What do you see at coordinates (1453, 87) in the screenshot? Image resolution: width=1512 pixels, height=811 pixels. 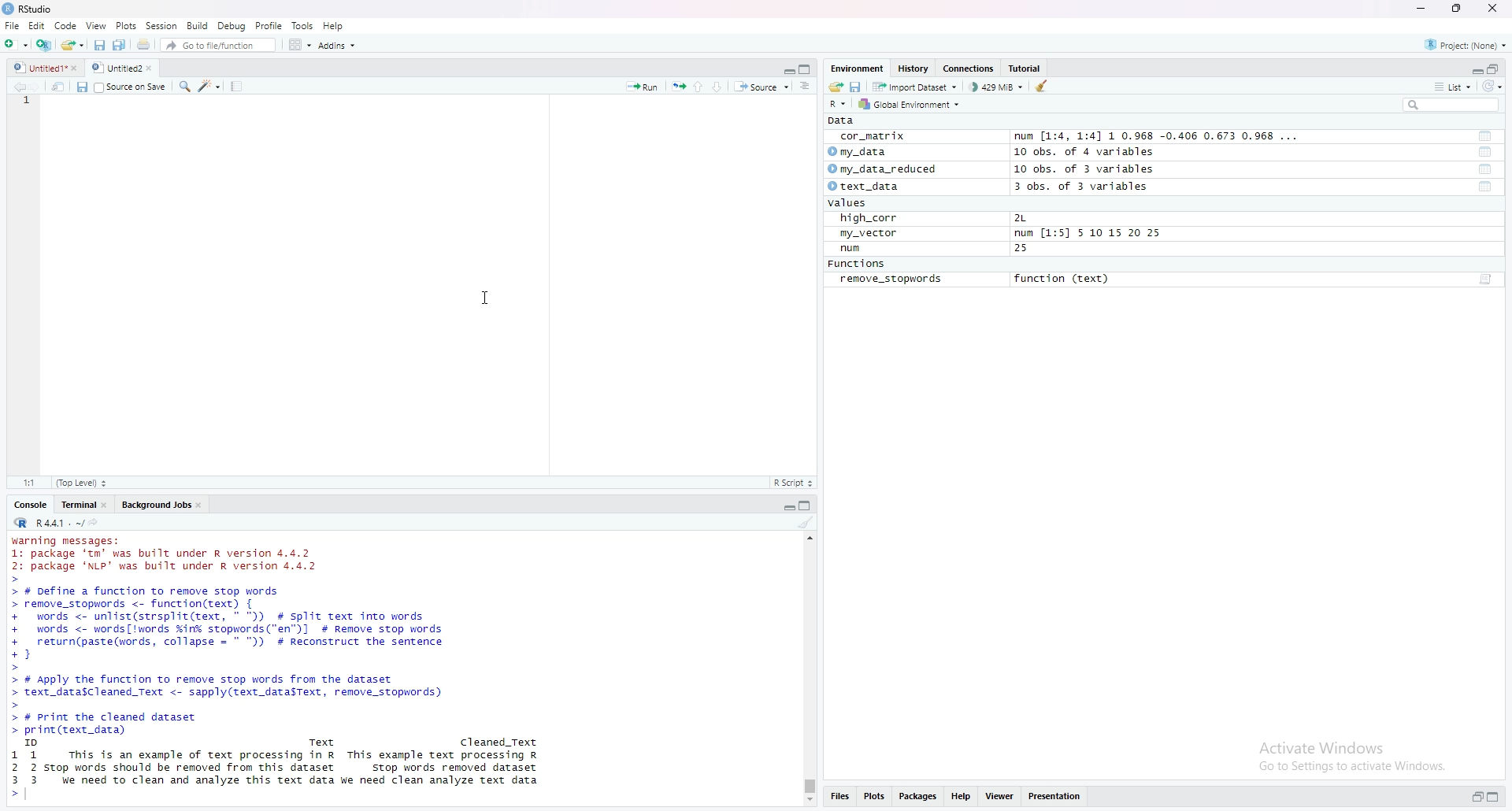 I see `List` at bounding box center [1453, 87].